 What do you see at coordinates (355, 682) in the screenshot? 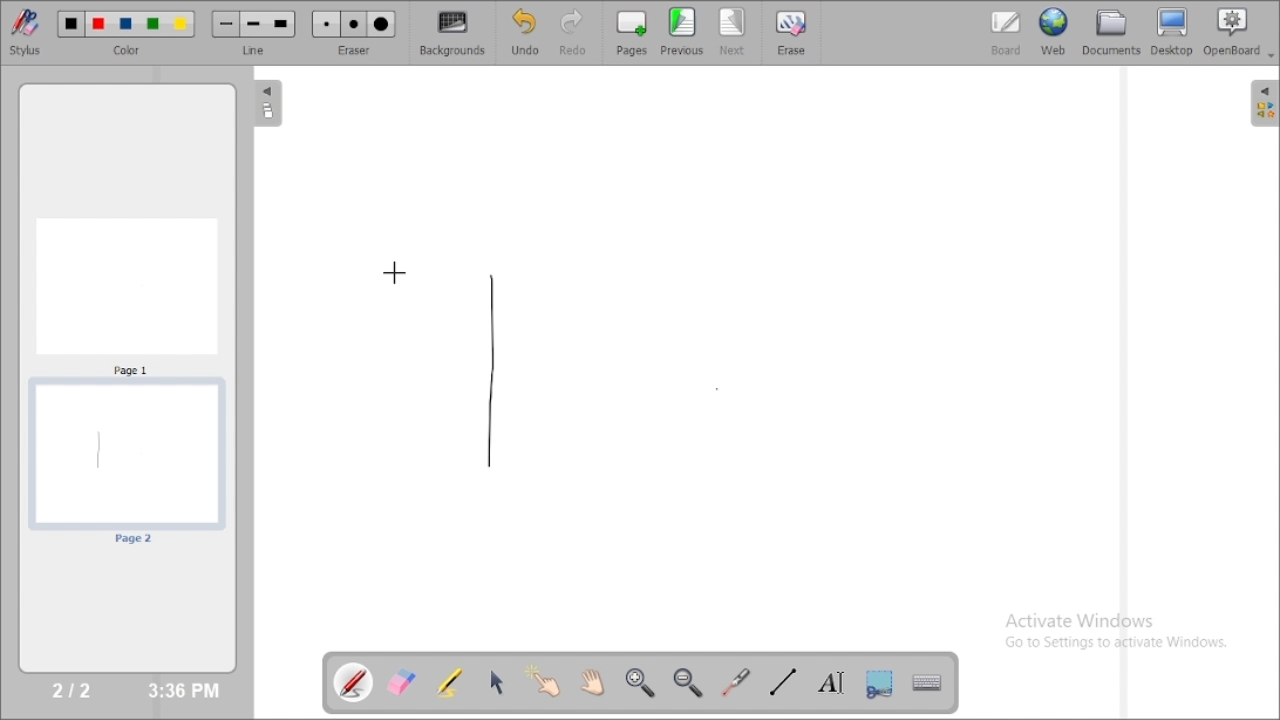
I see `annotate document` at bounding box center [355, 682].